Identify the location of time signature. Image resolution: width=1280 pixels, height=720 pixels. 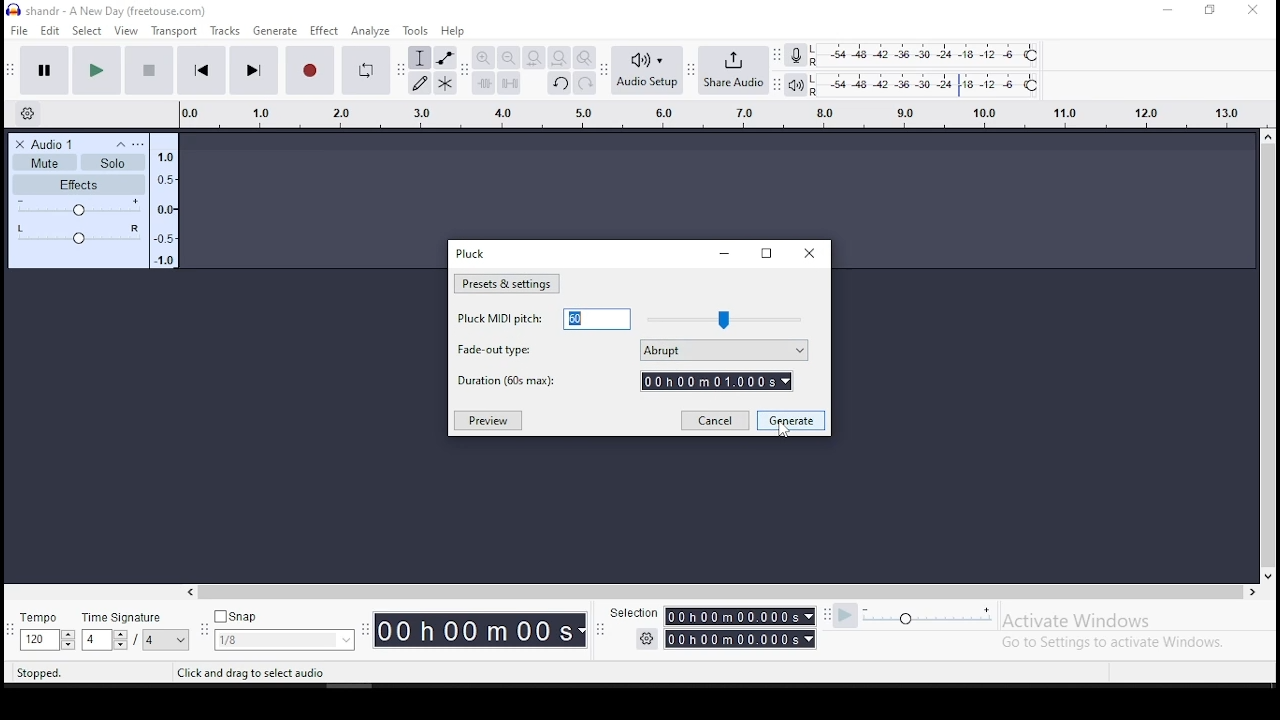
(46, 629).